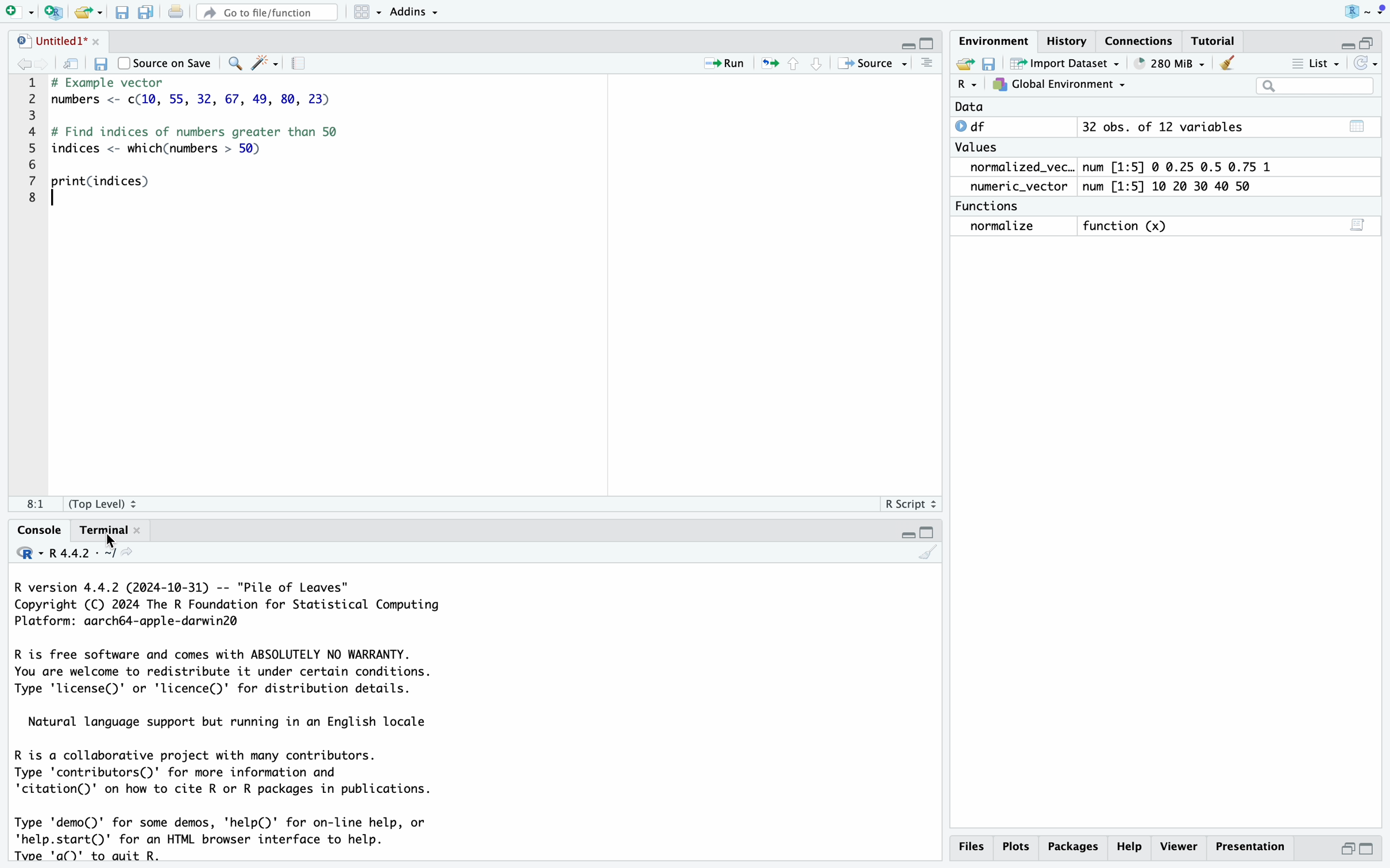  I want to click on minimise, so click(1349, 847).